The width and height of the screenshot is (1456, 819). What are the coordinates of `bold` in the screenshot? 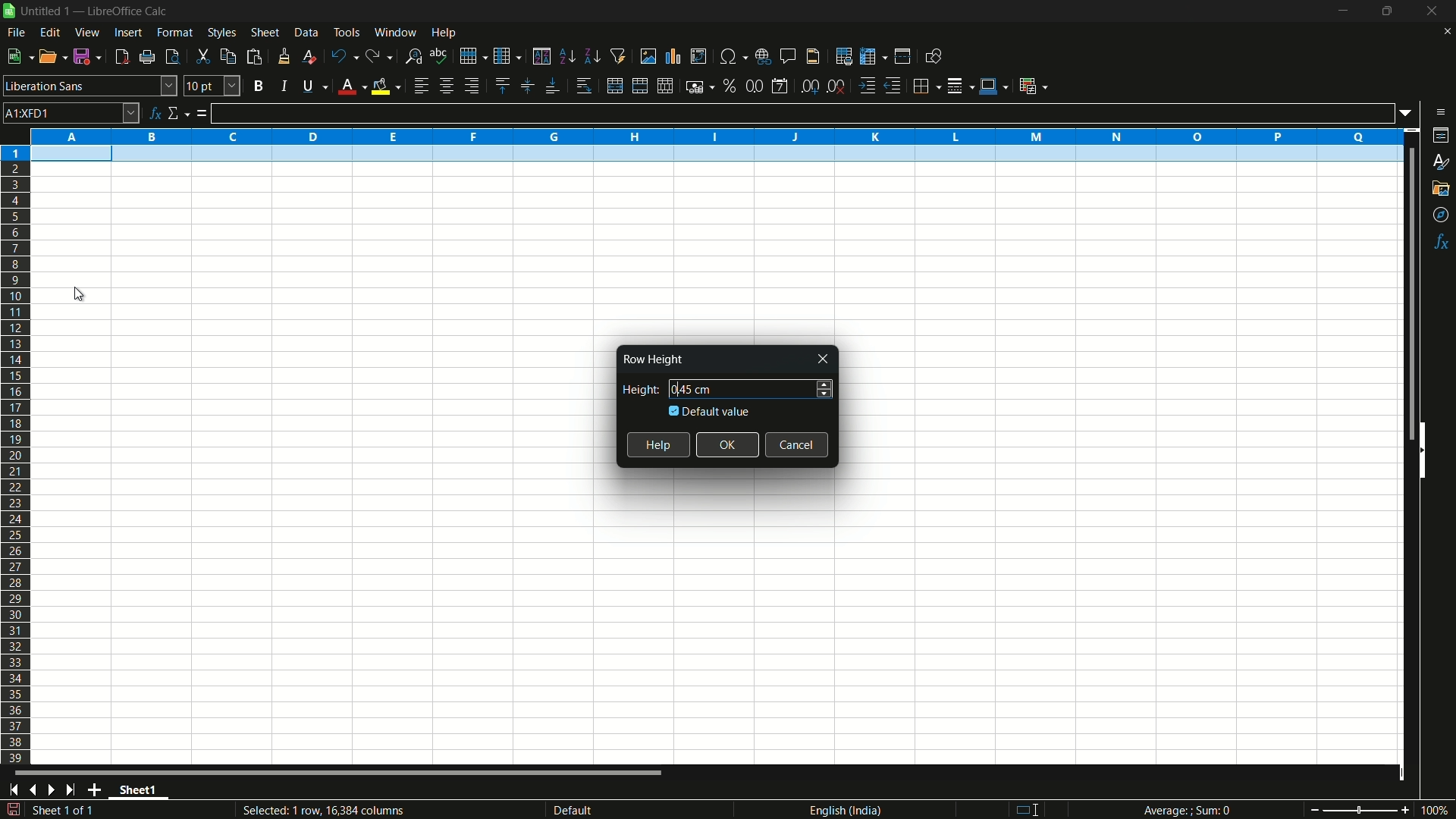 It's located at (258, 85).